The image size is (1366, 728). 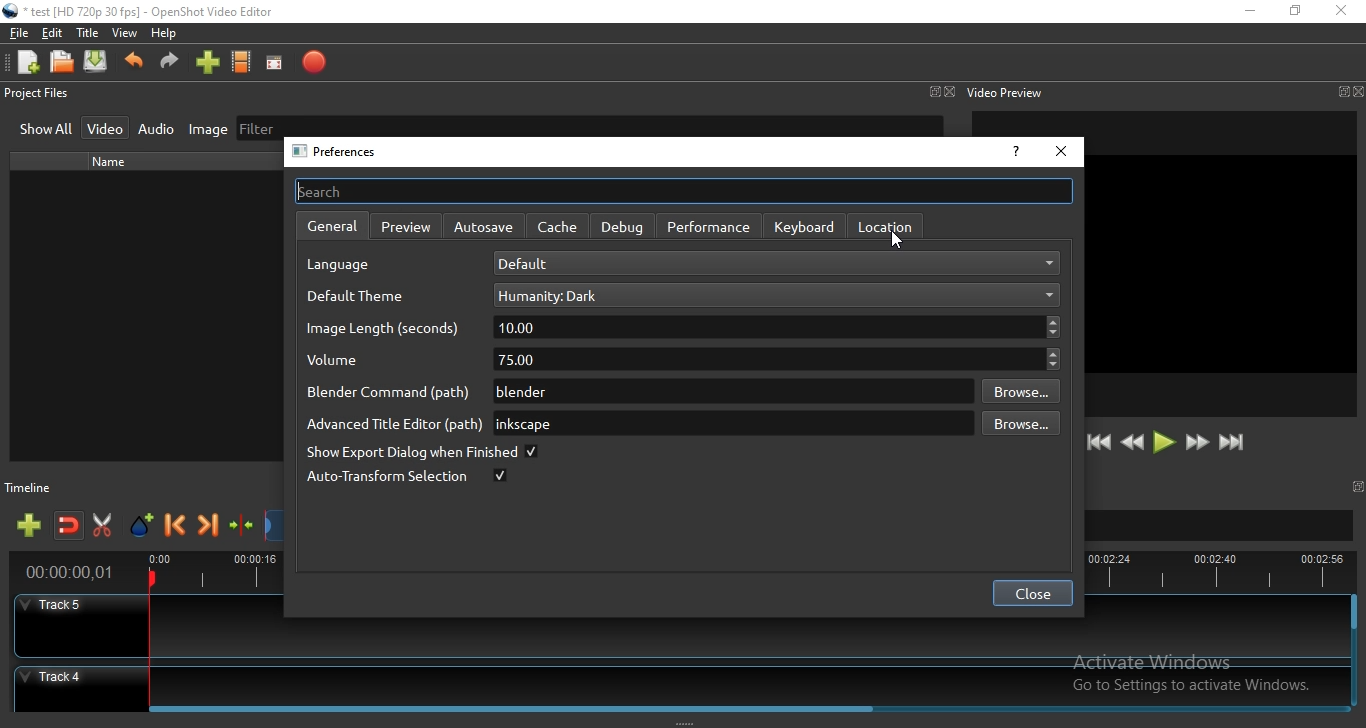 I want to click on cache, so click(x=558, y=227).